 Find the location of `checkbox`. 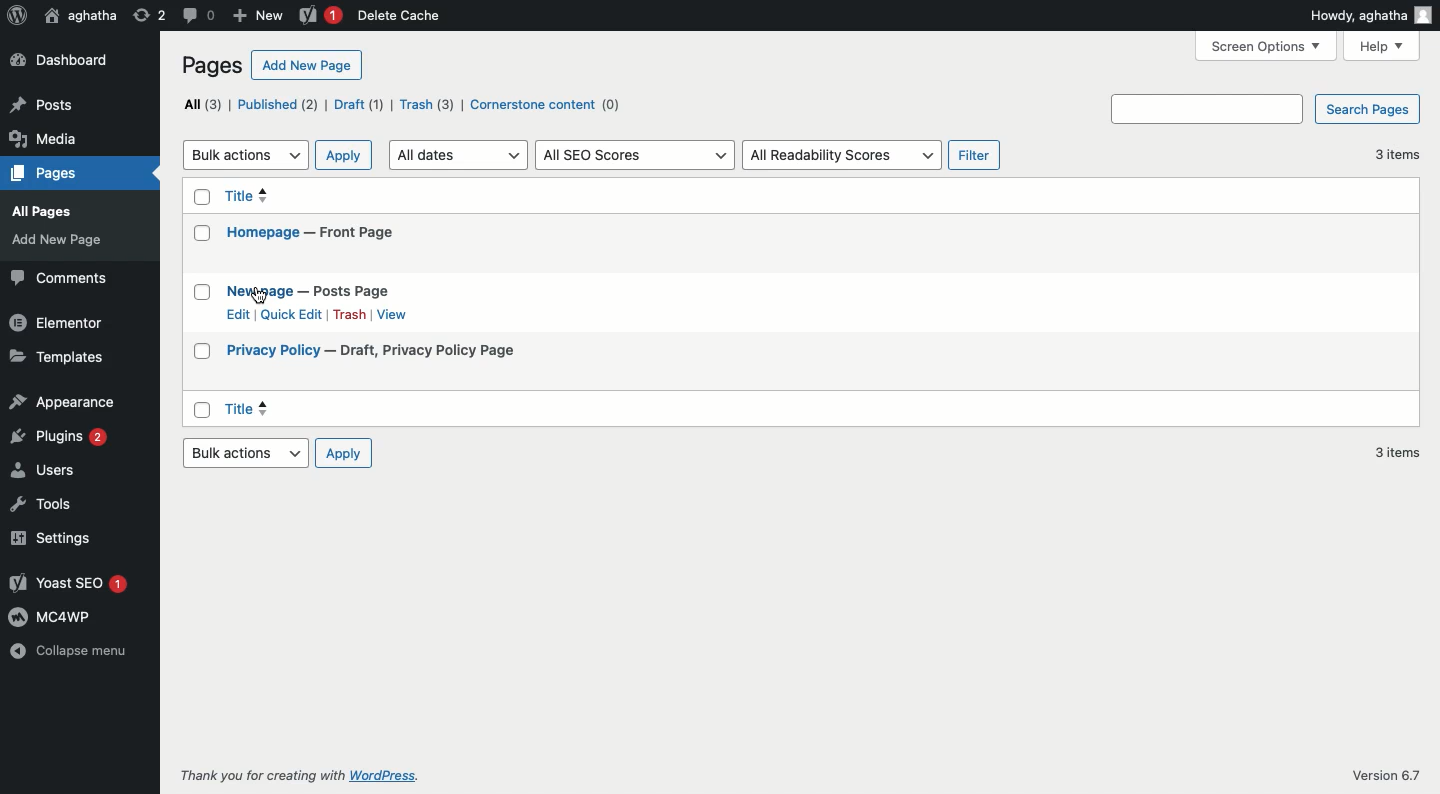

checkbox is located at coordinates (203, 348).